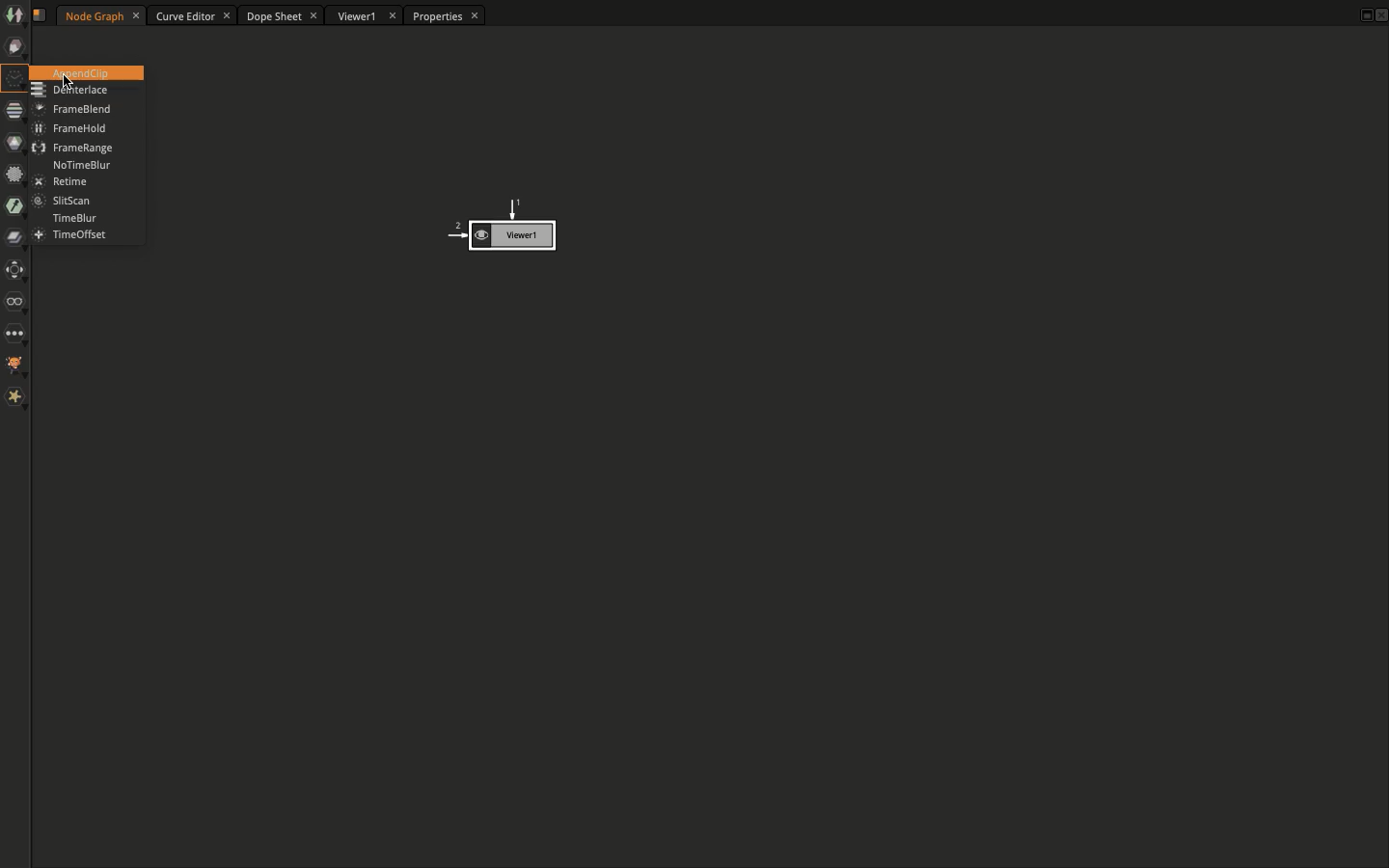  I want to click on Close, so click(1380, 17).